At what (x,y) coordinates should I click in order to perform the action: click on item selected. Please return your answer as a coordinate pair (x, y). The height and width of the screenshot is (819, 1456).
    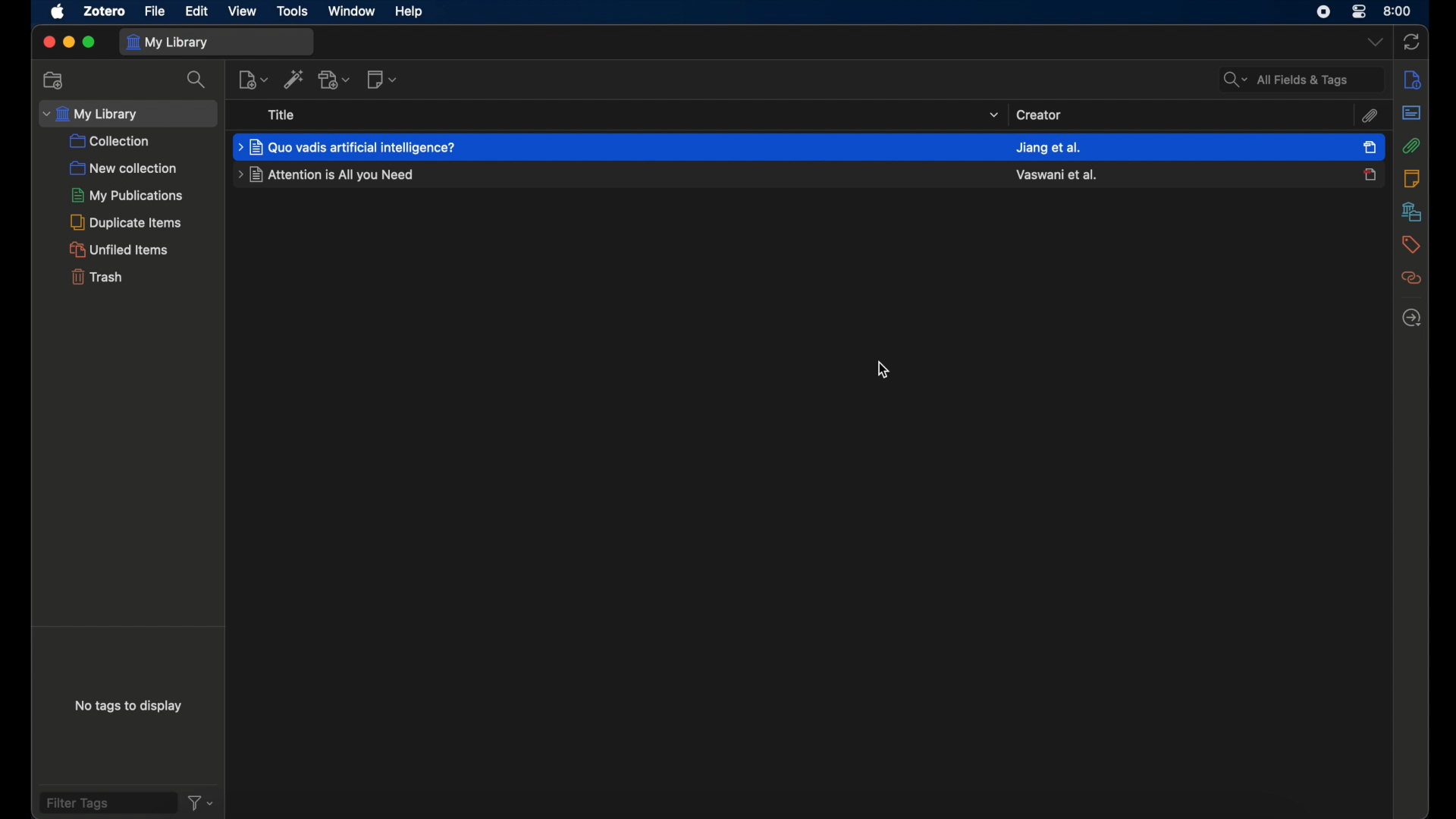
    Looking at the image, I should click on (1370, 146).